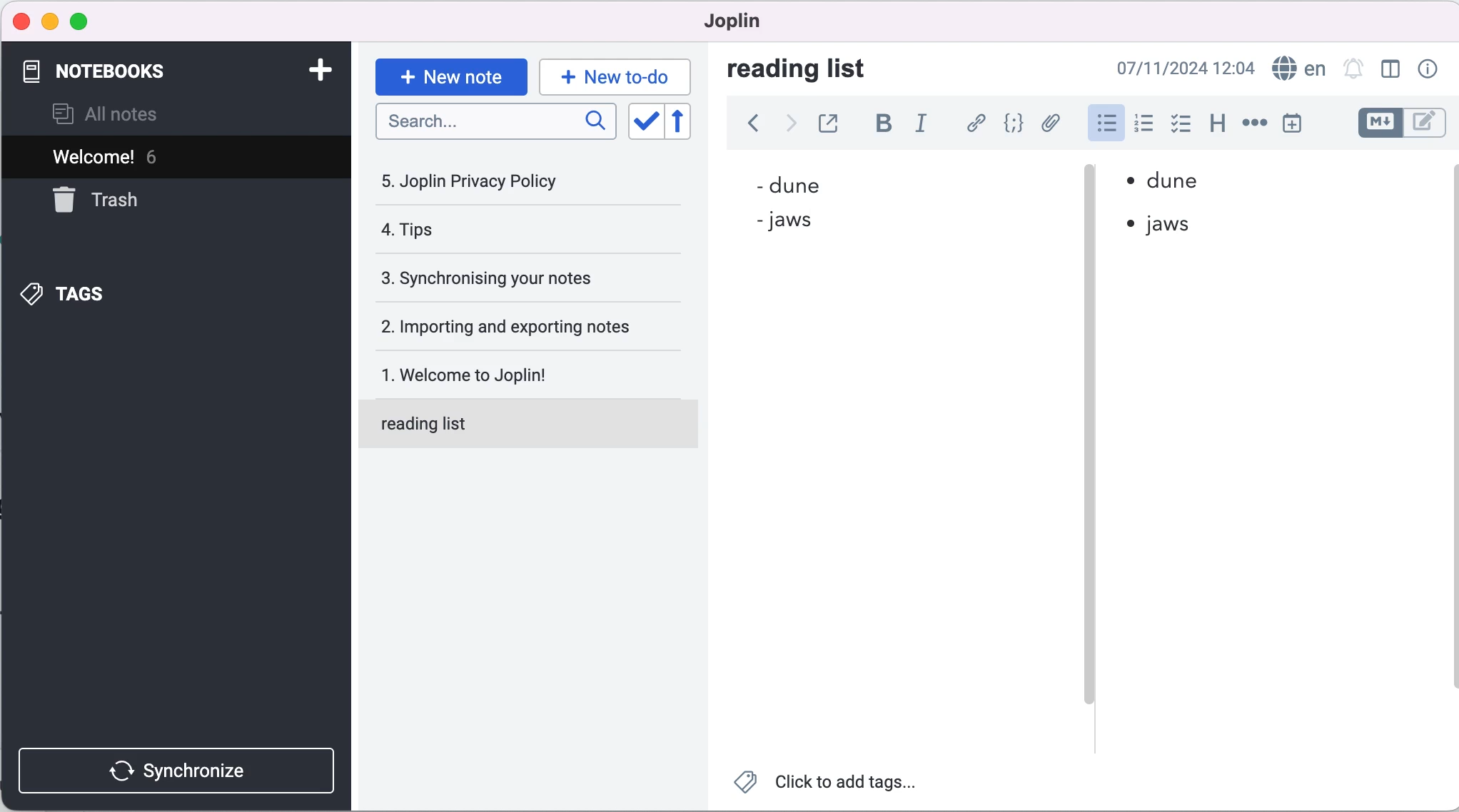  I want to click on horizontal rule, so click(1254, 125).